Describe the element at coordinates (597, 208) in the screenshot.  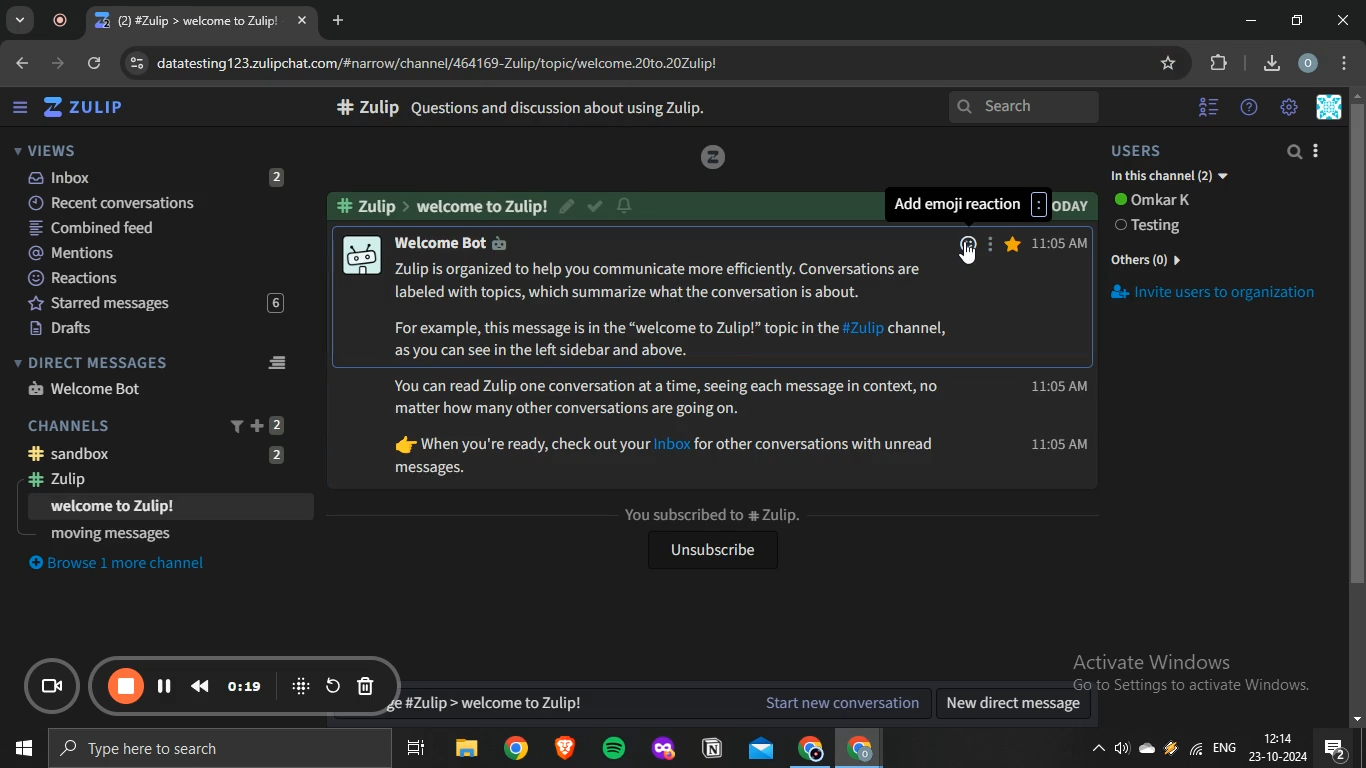
I see `check` at that location.